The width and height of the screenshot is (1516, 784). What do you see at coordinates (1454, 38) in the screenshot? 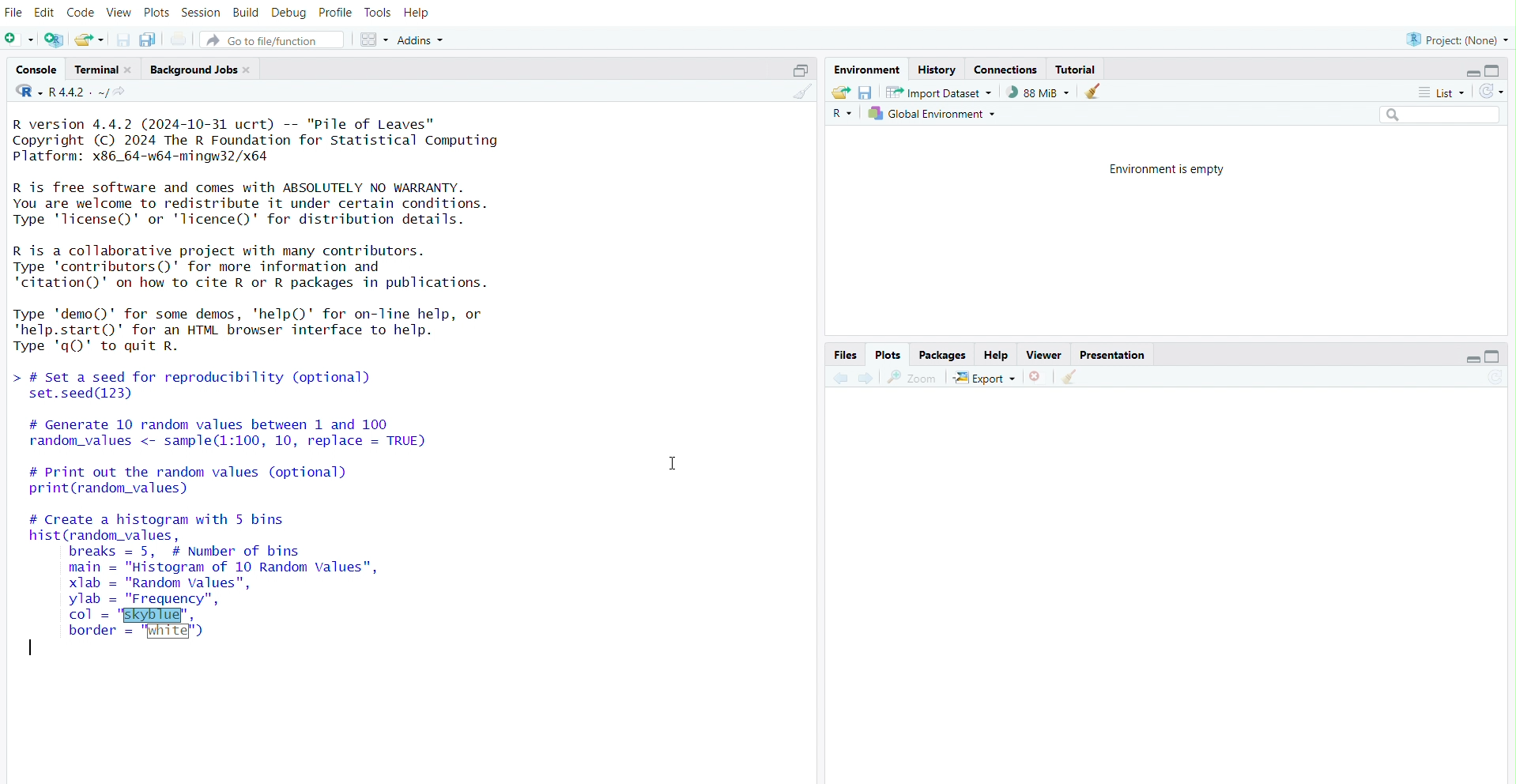
I see `project: (None)` at bounding box center [1454, 38].